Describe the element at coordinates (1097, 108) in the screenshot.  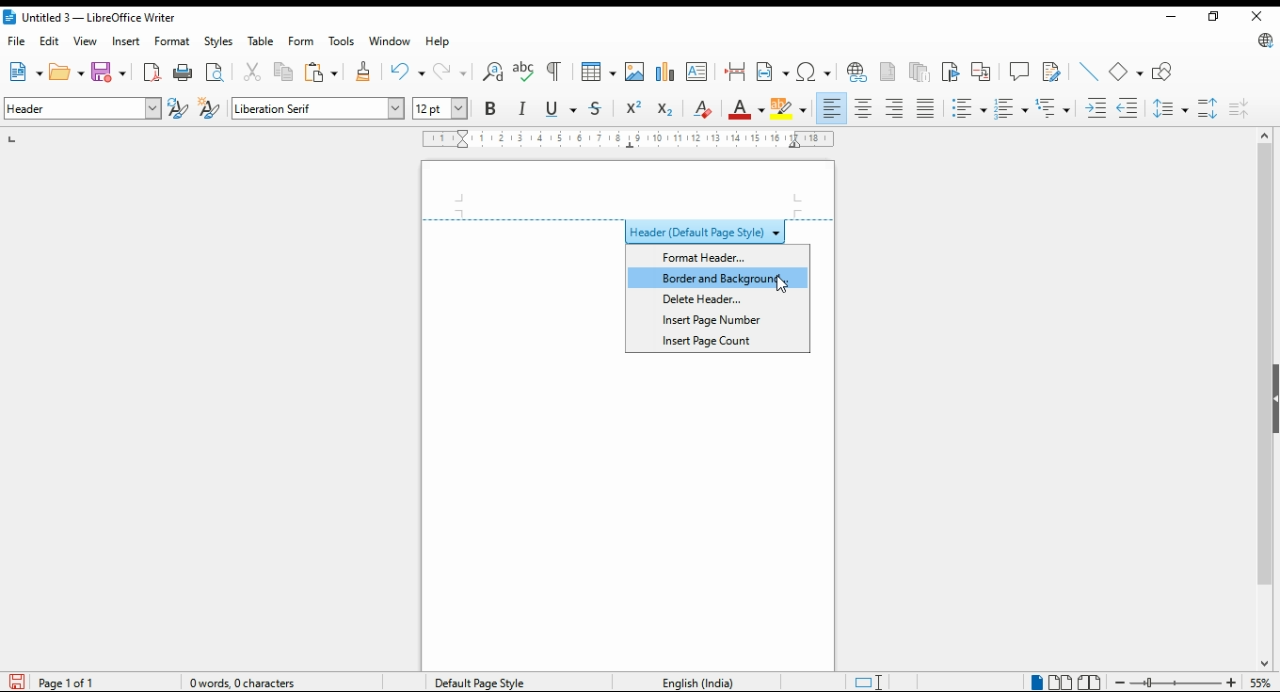
I see `increase indent` at that location.